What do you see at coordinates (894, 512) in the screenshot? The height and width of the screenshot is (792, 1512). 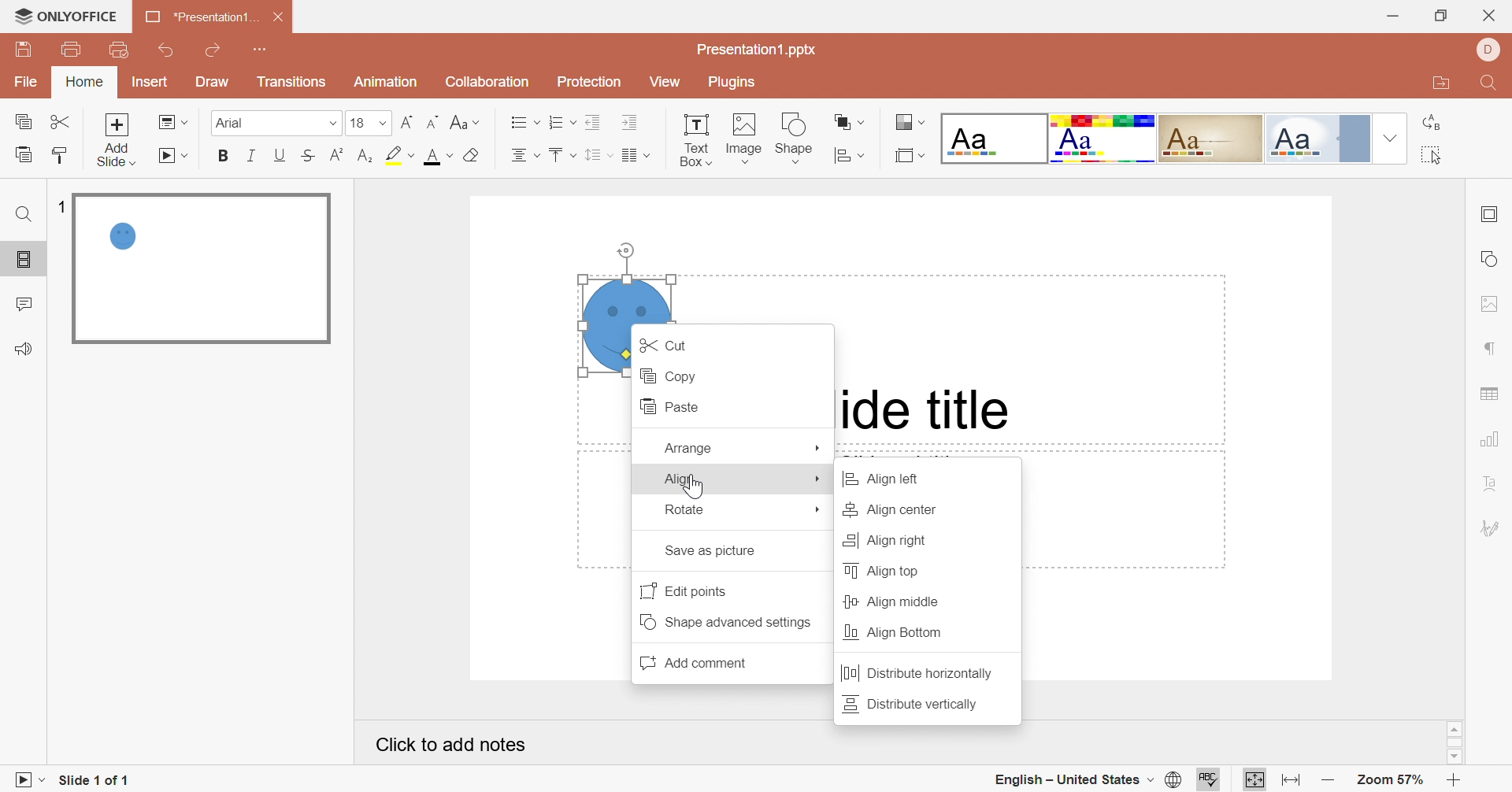 I see `Align Center` at bounding box center [894, 512].